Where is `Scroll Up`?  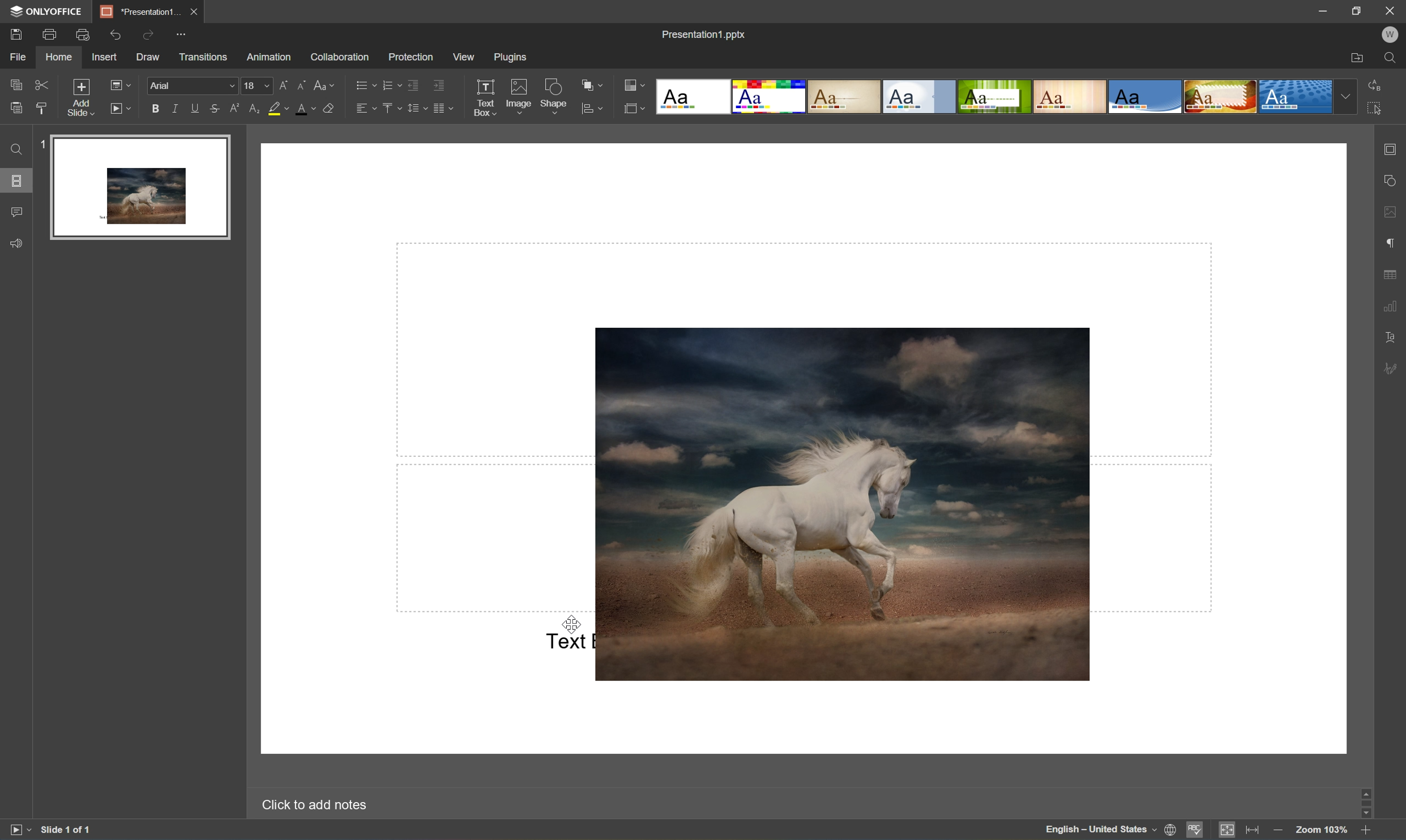 Scroll Up is located at coordinates (1365, 788).